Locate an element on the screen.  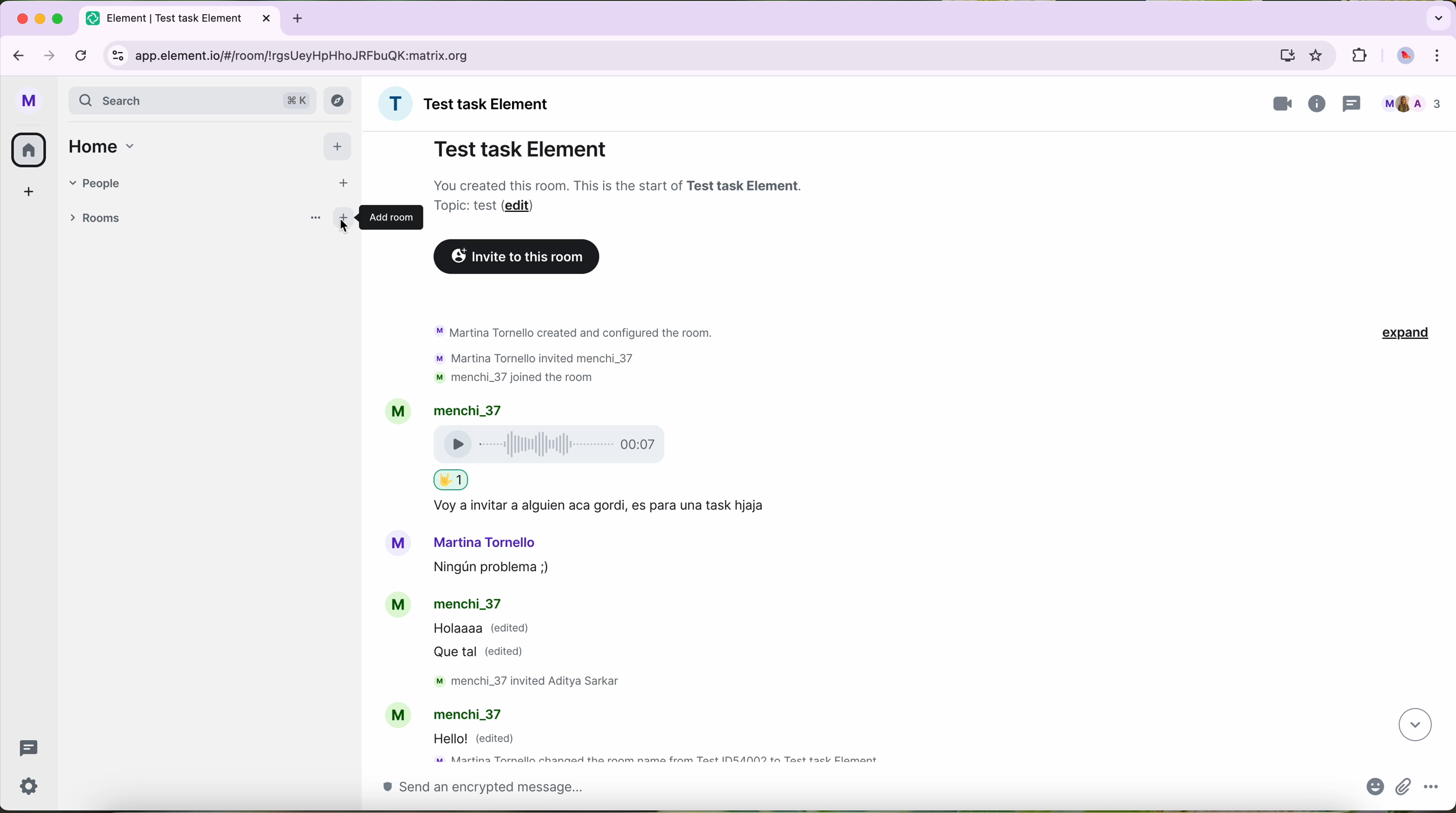
name is located at coordinates (469, 103).